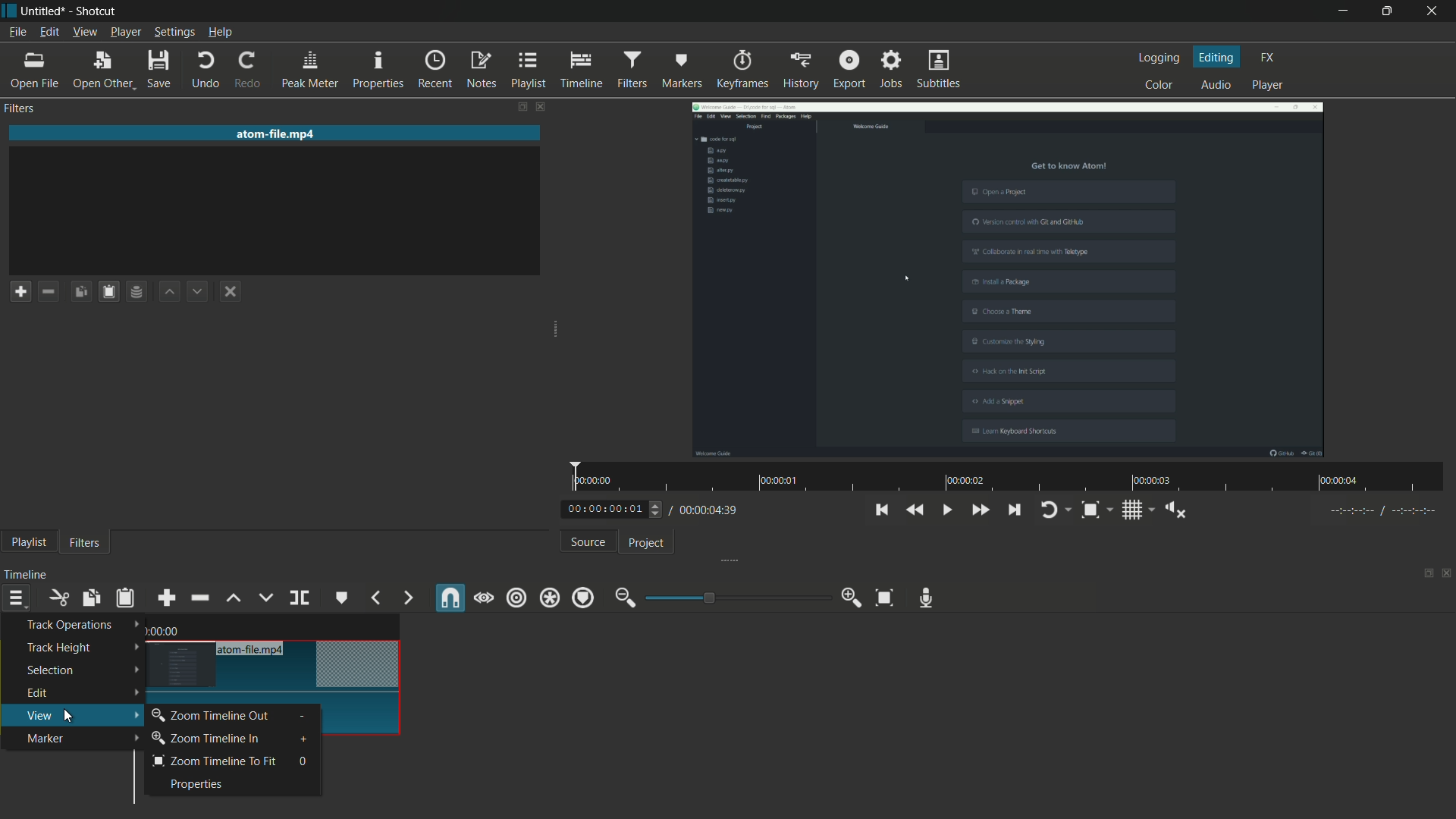 This screenshot has width=1456, height=819. Describe the element at coordinates (101, 71) in the screenshot. I see `open other` at that location.